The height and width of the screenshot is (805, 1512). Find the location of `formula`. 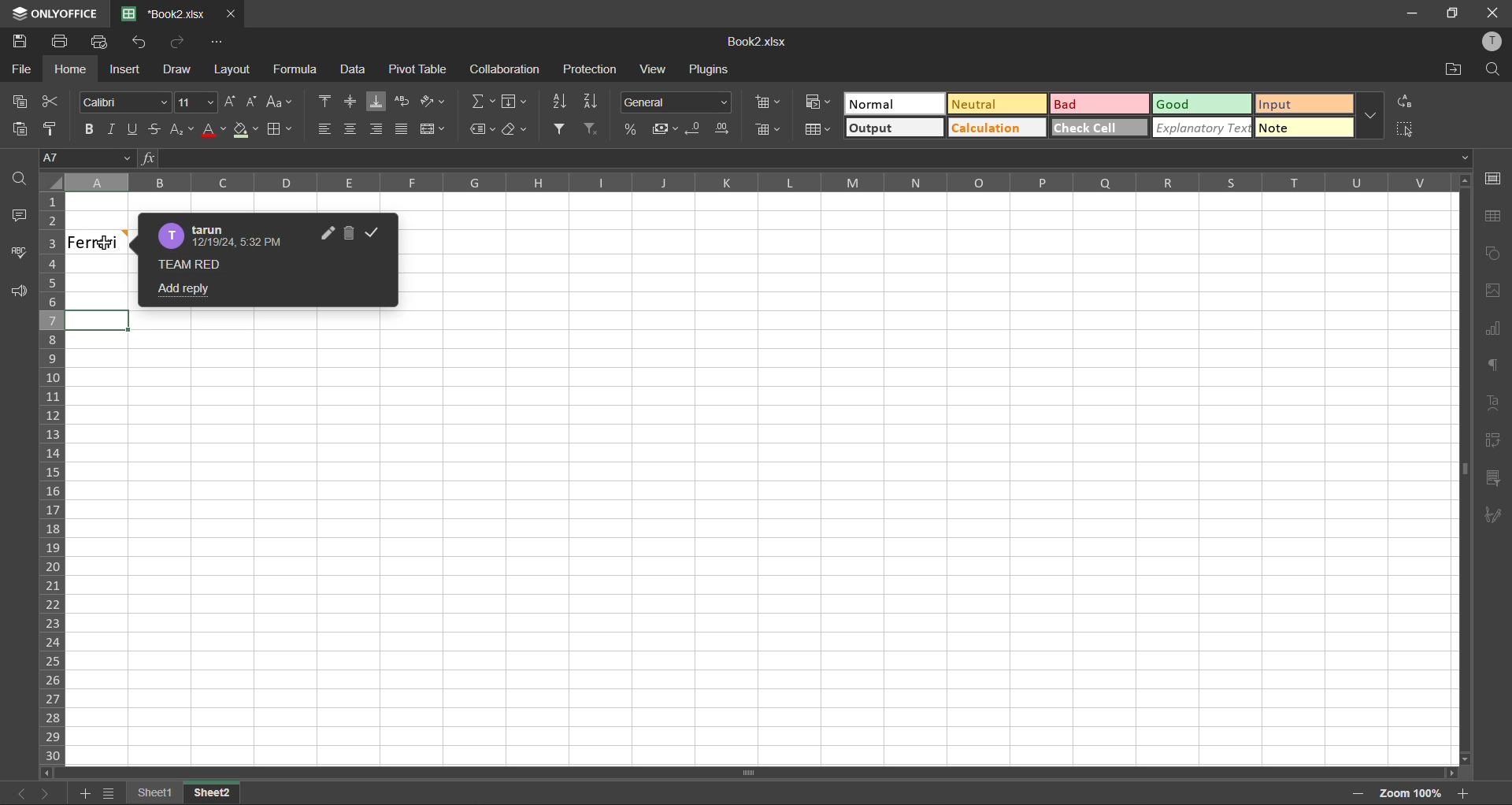

formula is located at coordinates (299, 72).